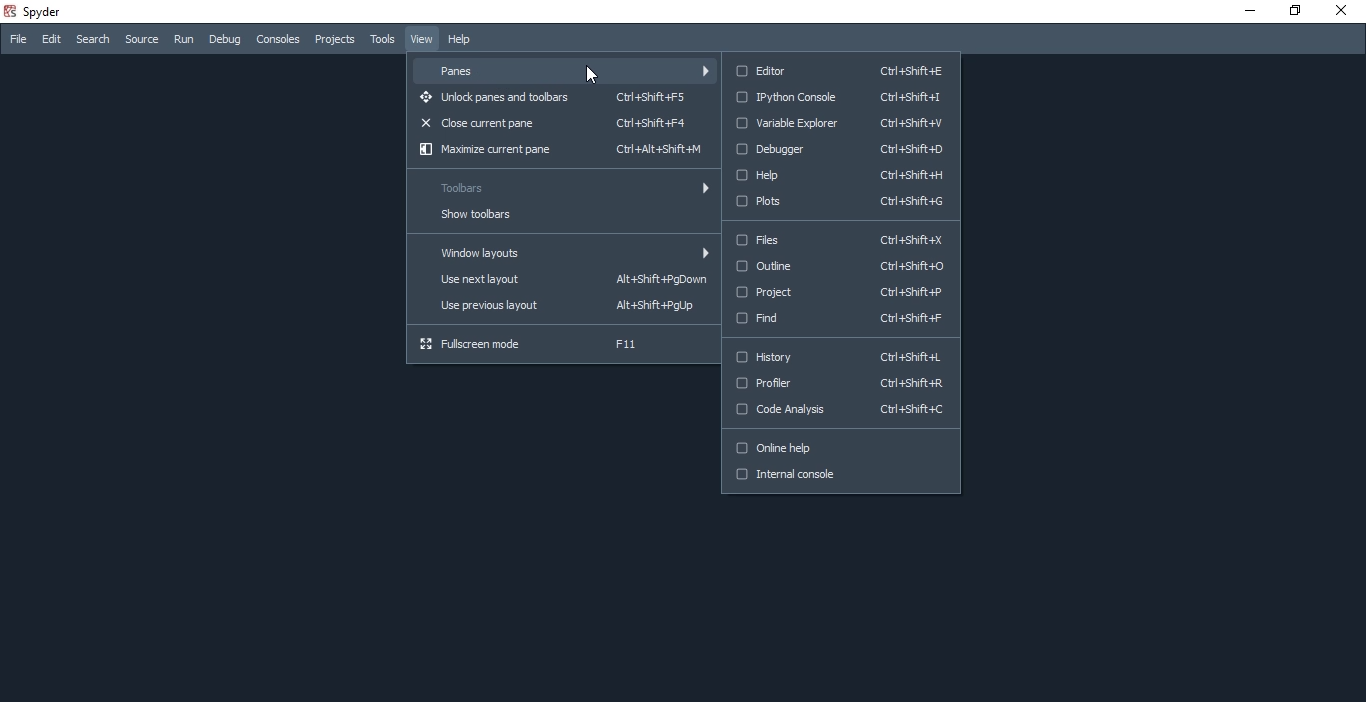  What do you see at coordinates (52, 41) in the screenshot?
I see `Edit` at bounding box center [52, 41].